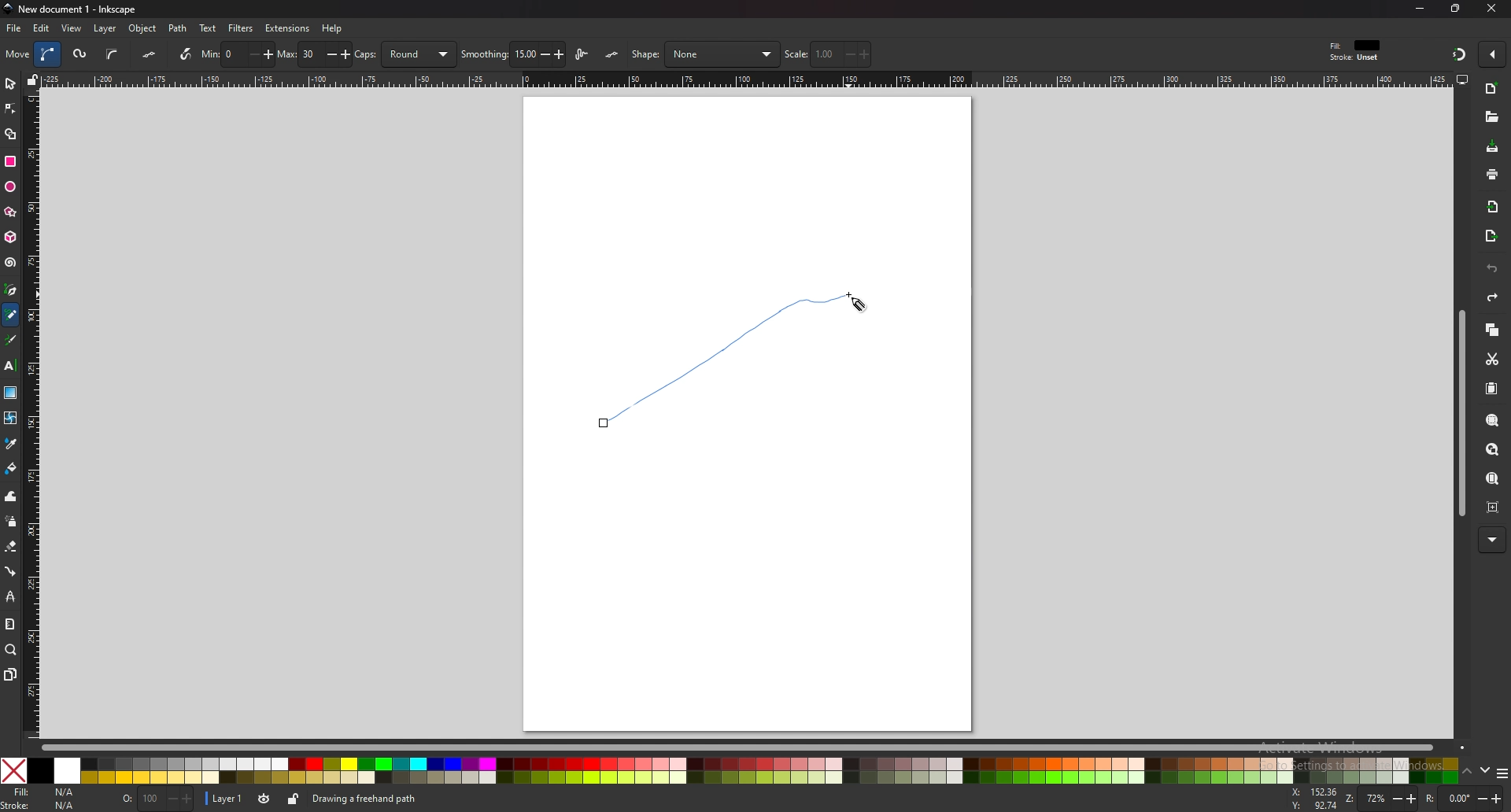  I want to click on text, so click(209, 28).